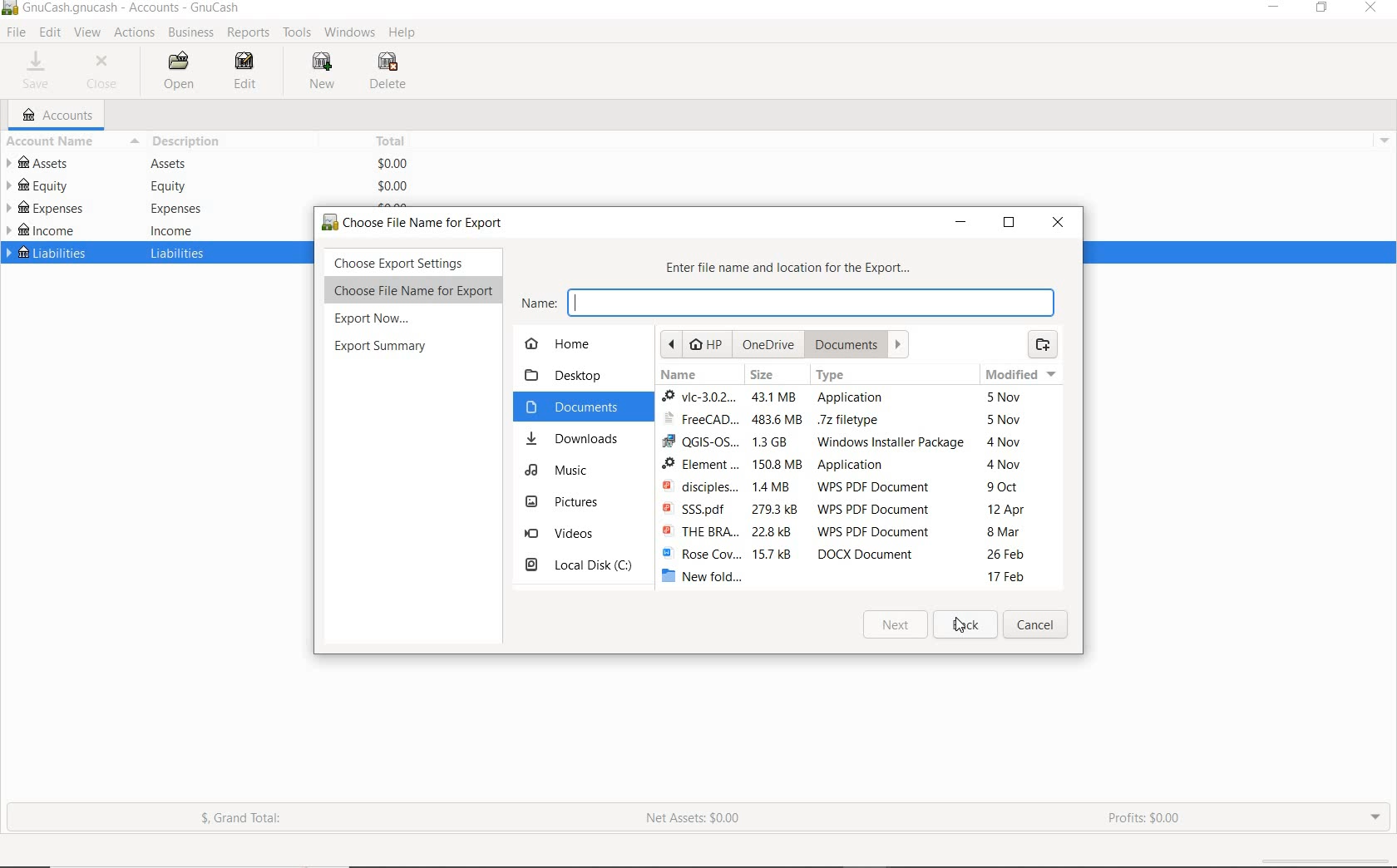 The image size is (1397, 868). I want to click on EXPENSES, so click(45, 207).